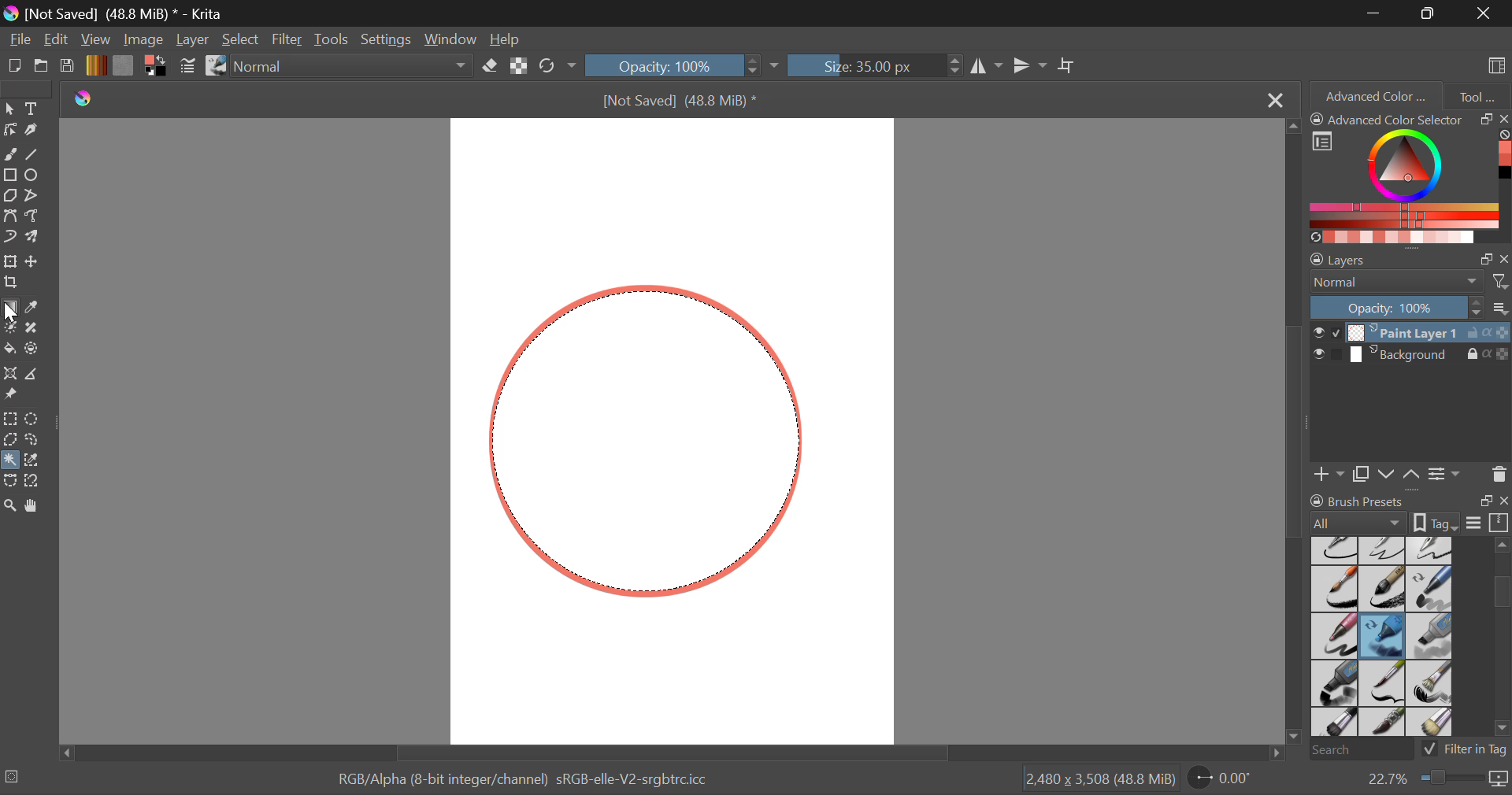 The image size is (1512, 795). What do you see at coordinates (1501, 640) in the screenshot?
I see `slider` at bounding box center [1501, 640].